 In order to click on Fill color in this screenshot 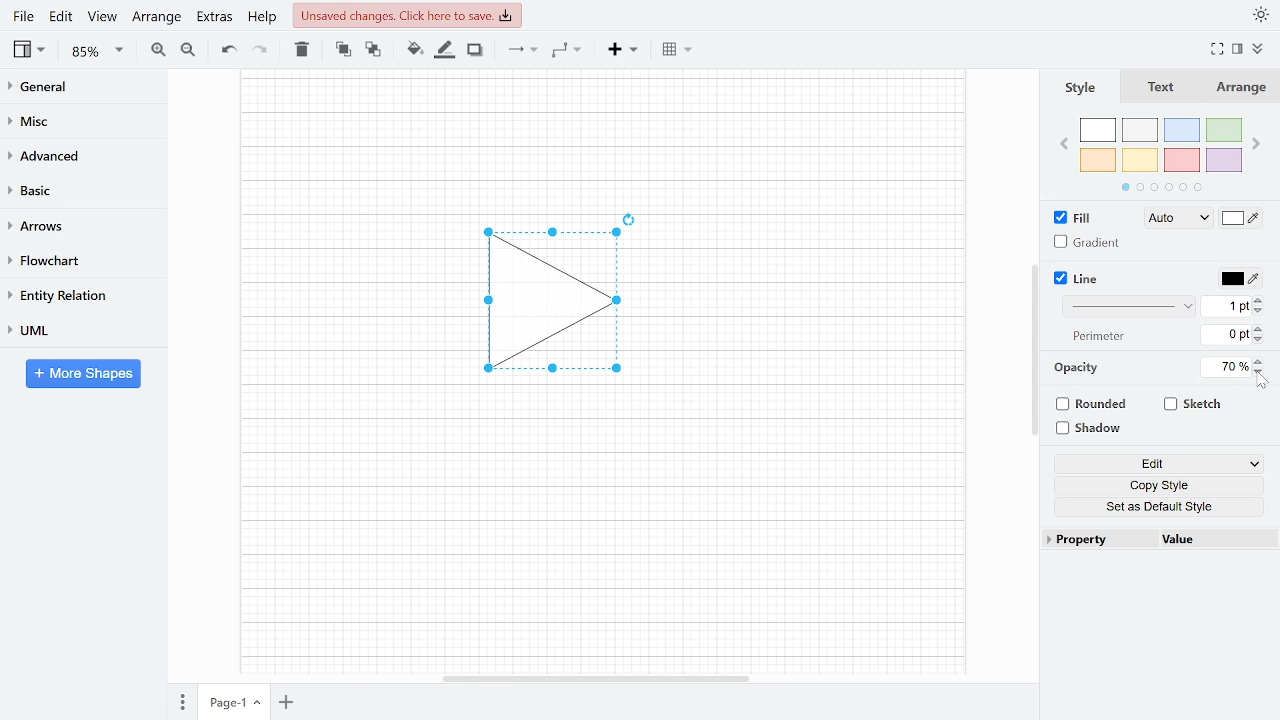, I will do `click(414, 49)`.